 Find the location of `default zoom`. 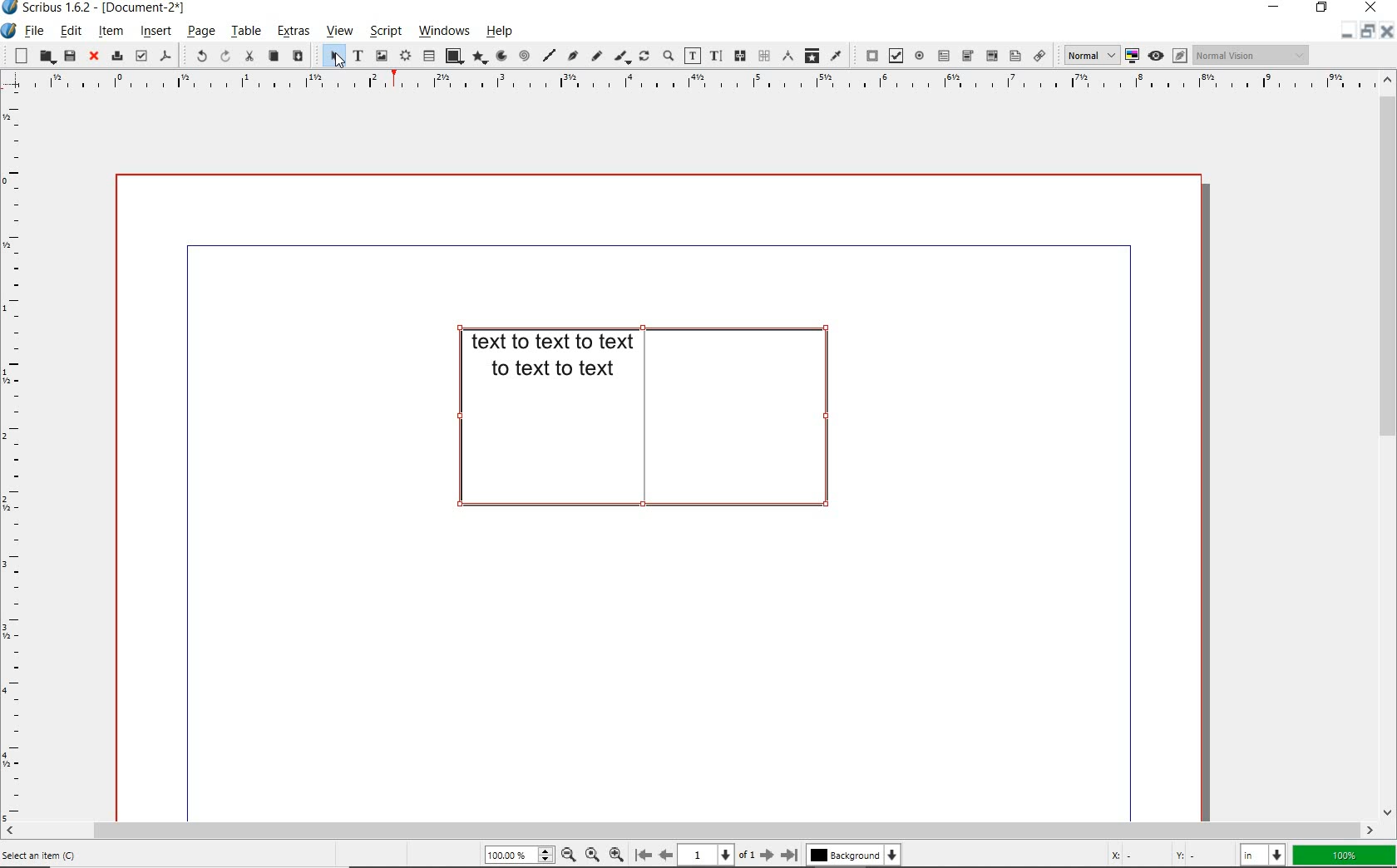

default zoom is located at coordinates (590, 853).